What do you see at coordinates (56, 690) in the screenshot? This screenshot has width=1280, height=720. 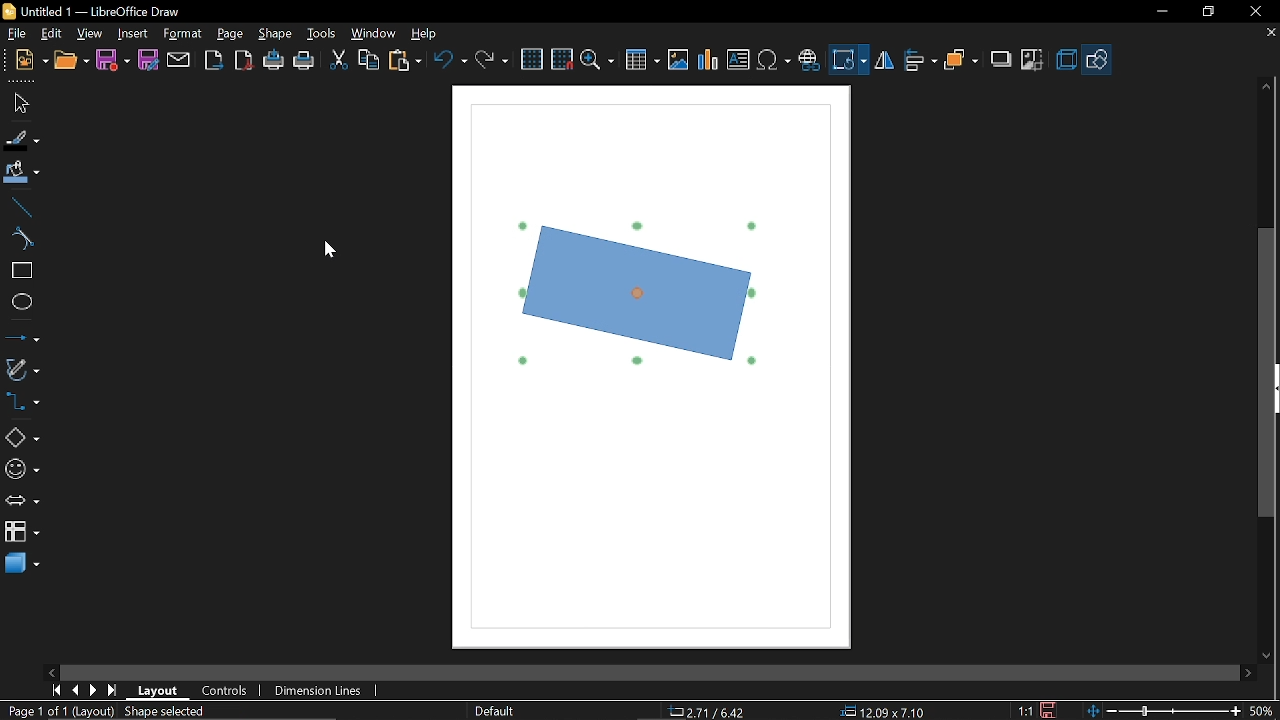 I see `Go to first page ` at bounding box center [56, 690].